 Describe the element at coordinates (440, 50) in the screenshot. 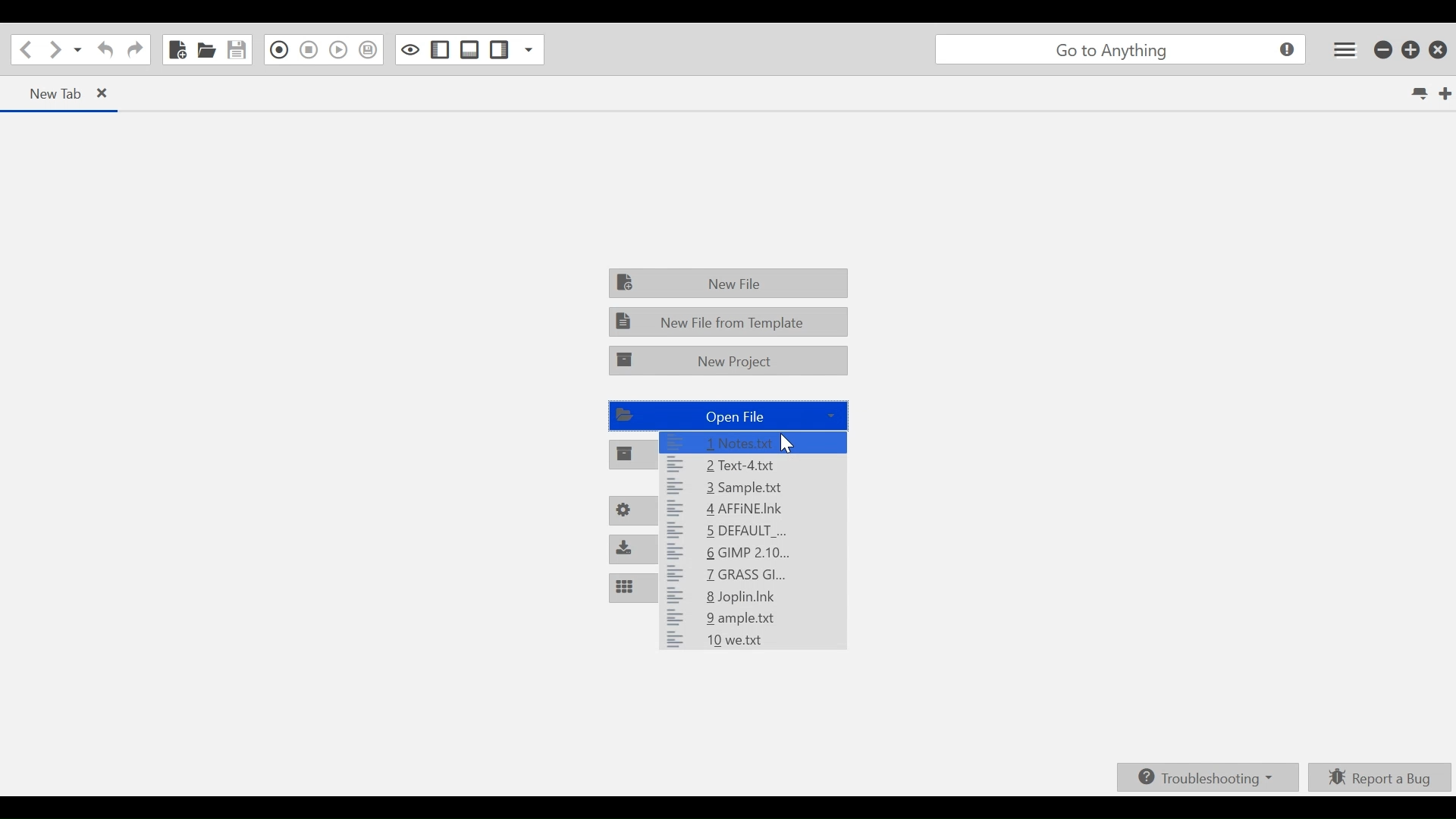

I see `Show/Hide Left Pane` at that location.